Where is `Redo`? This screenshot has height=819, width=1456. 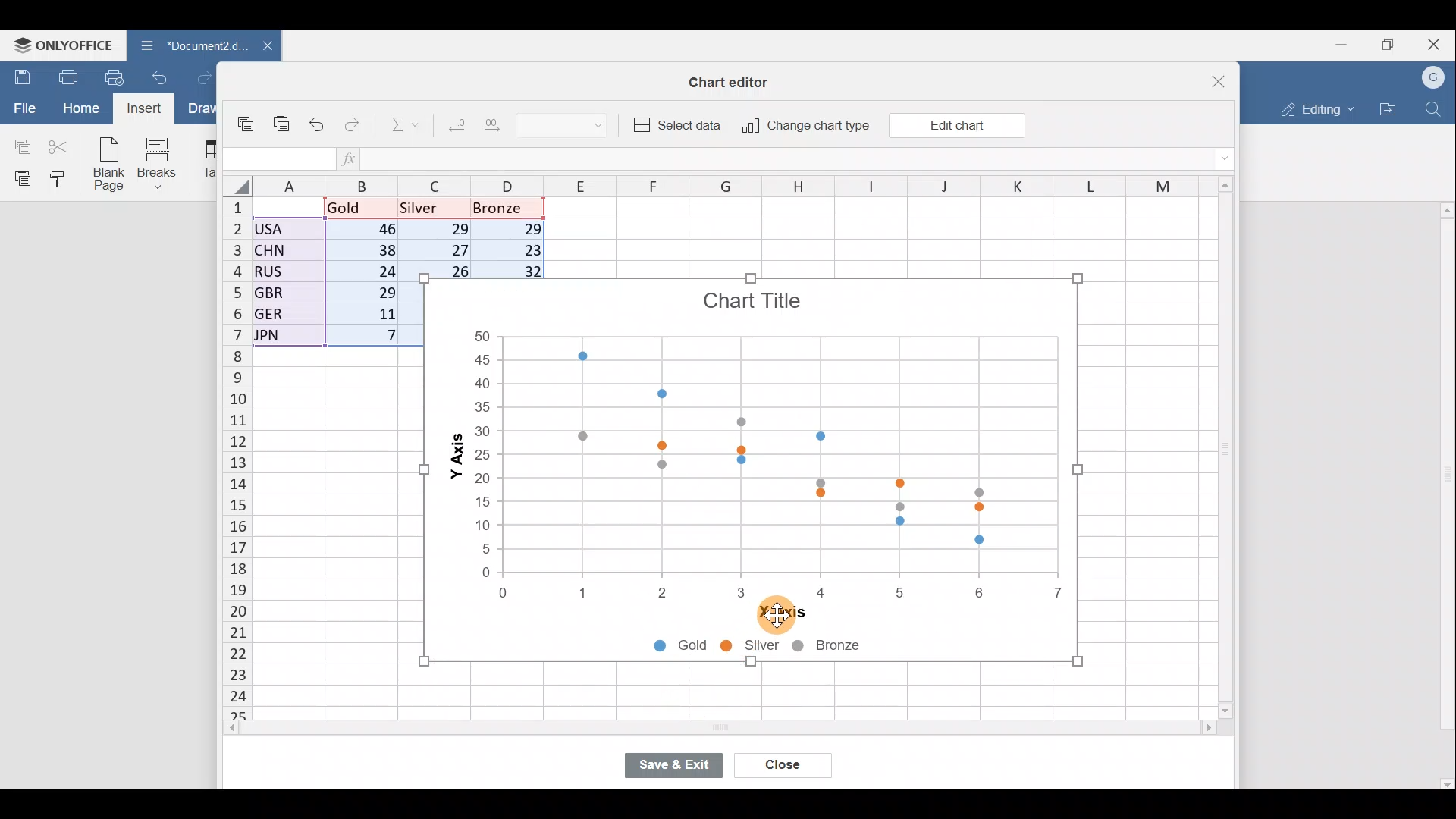 Redo is located at coordinates (202, 76).